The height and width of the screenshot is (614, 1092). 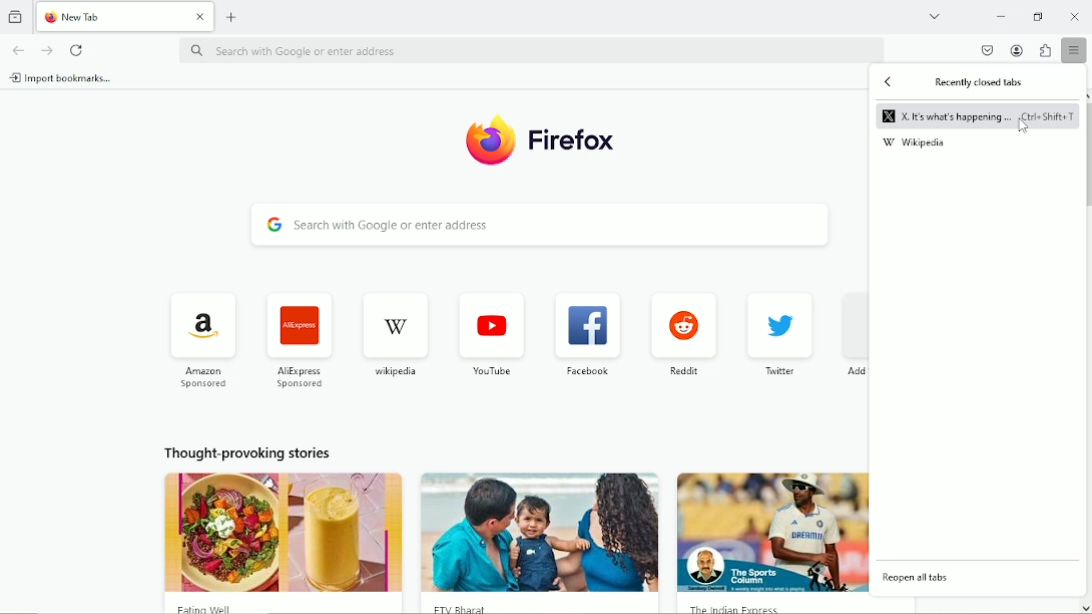 What do you see at coordinates (982, 83) in the screenshot?
I see `Recently closed tabs` at bounding box center [982, 83].